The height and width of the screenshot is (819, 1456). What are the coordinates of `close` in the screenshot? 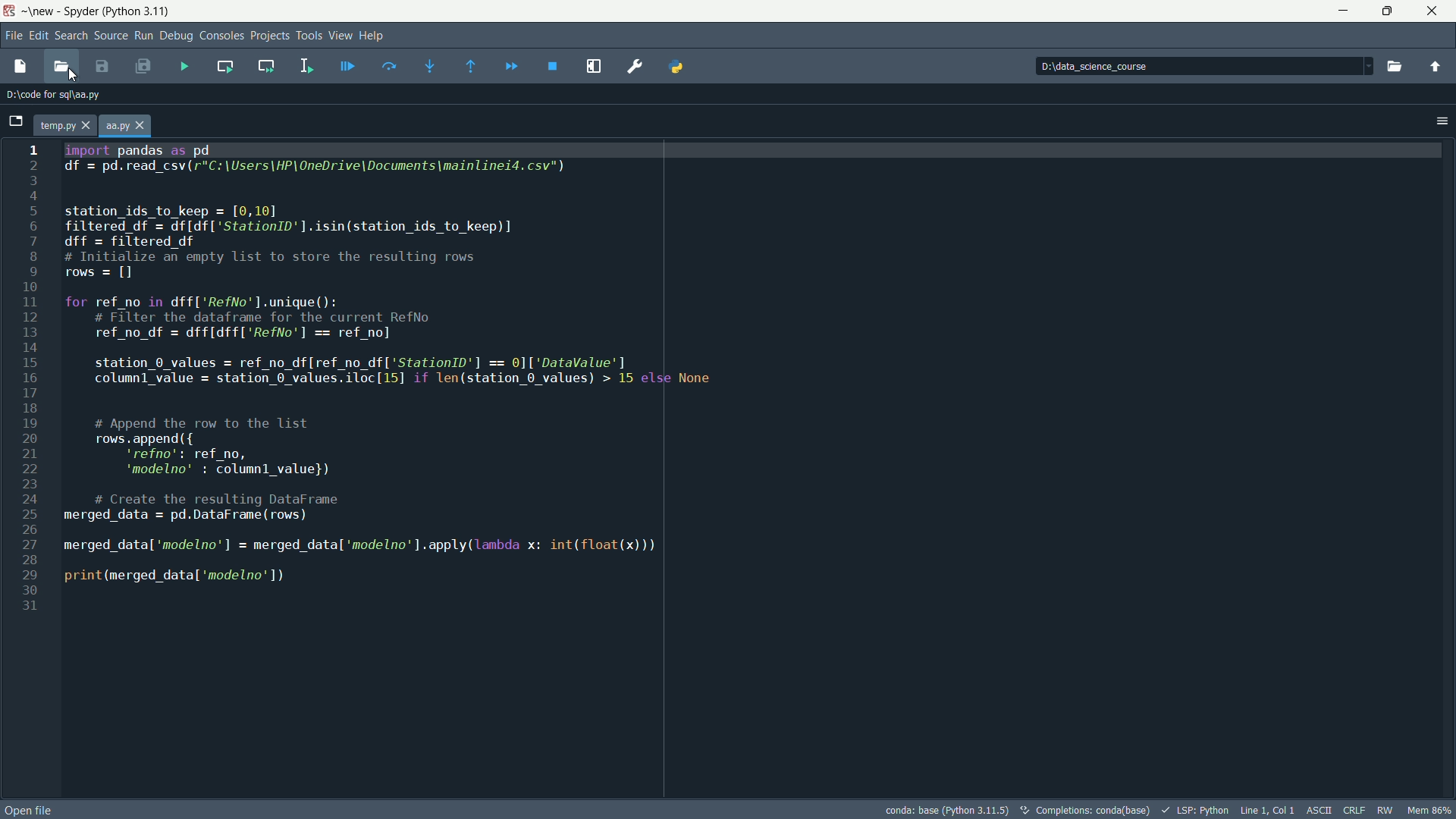 It's located at (88, 125).